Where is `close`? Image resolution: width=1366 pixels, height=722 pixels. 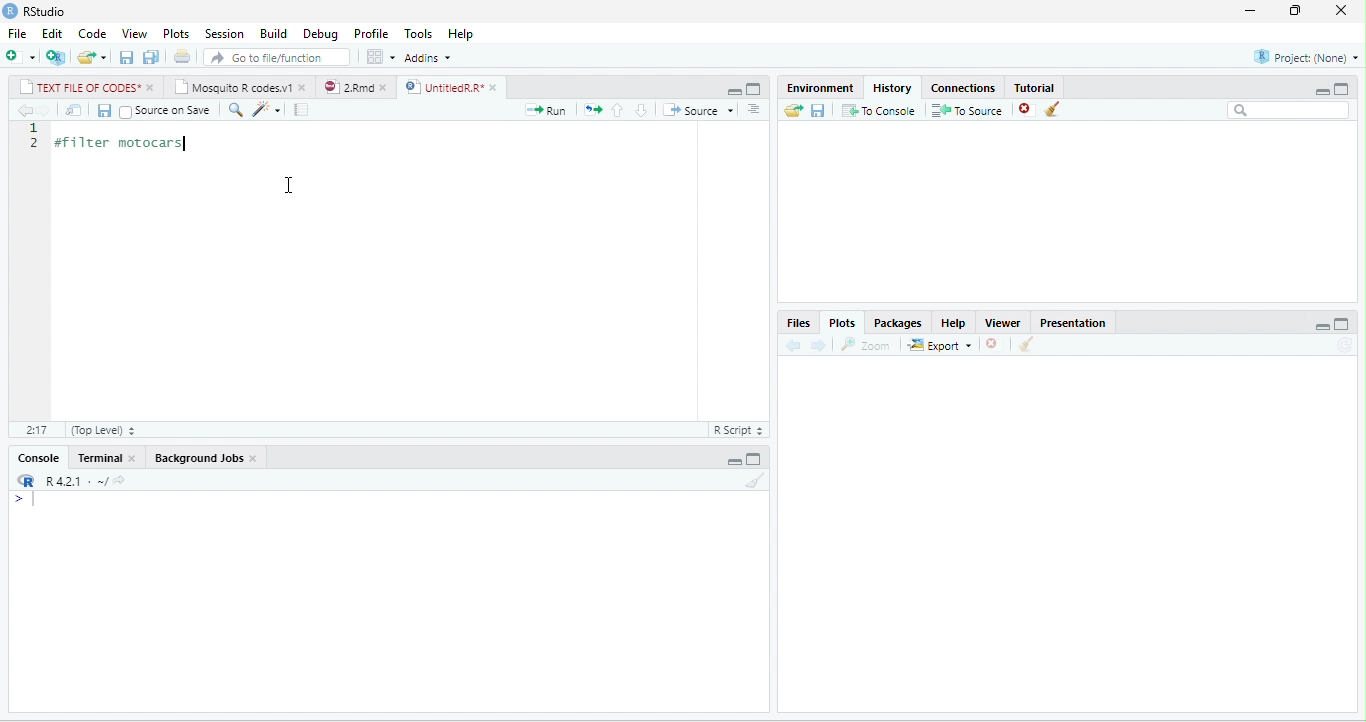 close is located at coordinates (304, 89).